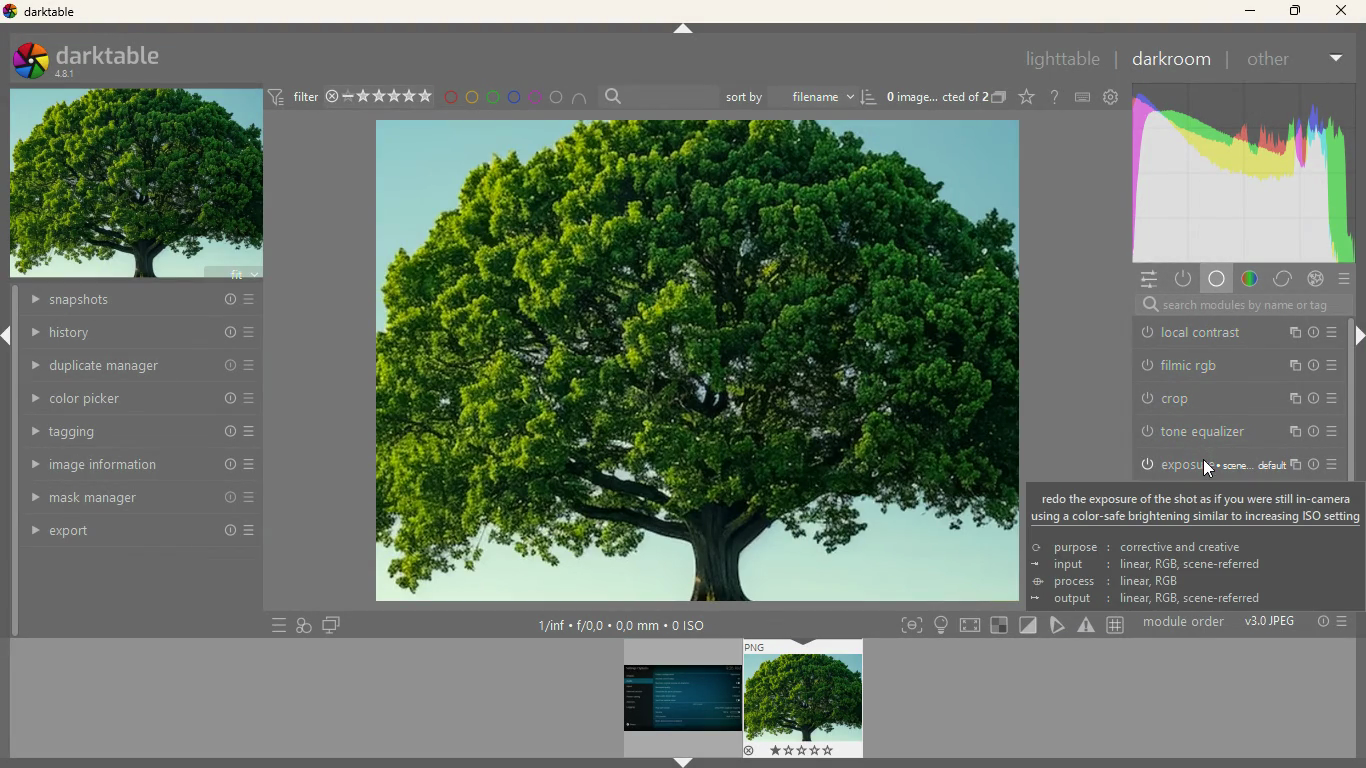 This screenshot has height=768, width=1366. I want to click on detail, so click(1238, 363).